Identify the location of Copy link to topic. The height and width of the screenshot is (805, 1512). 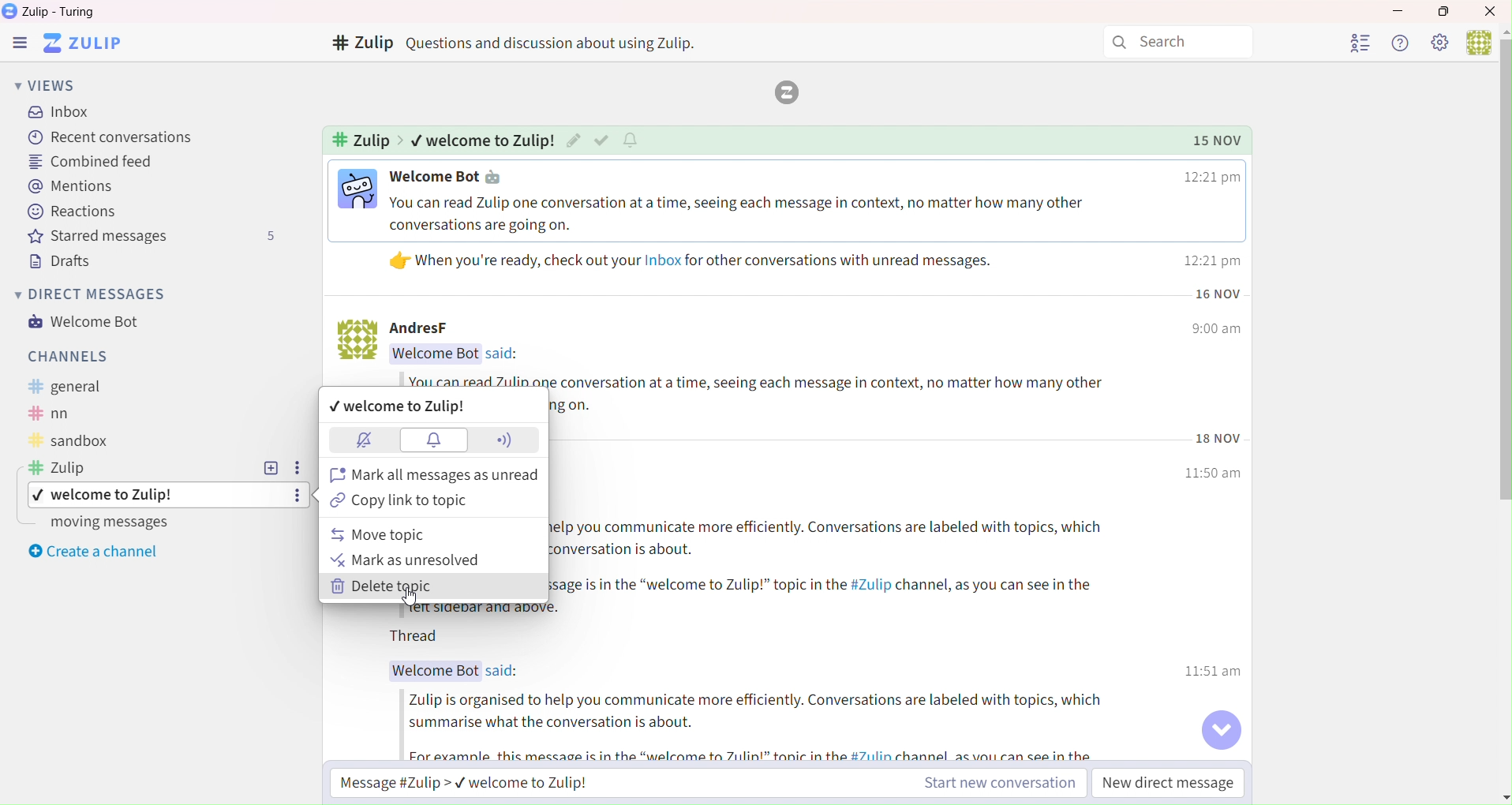
(417, 502).